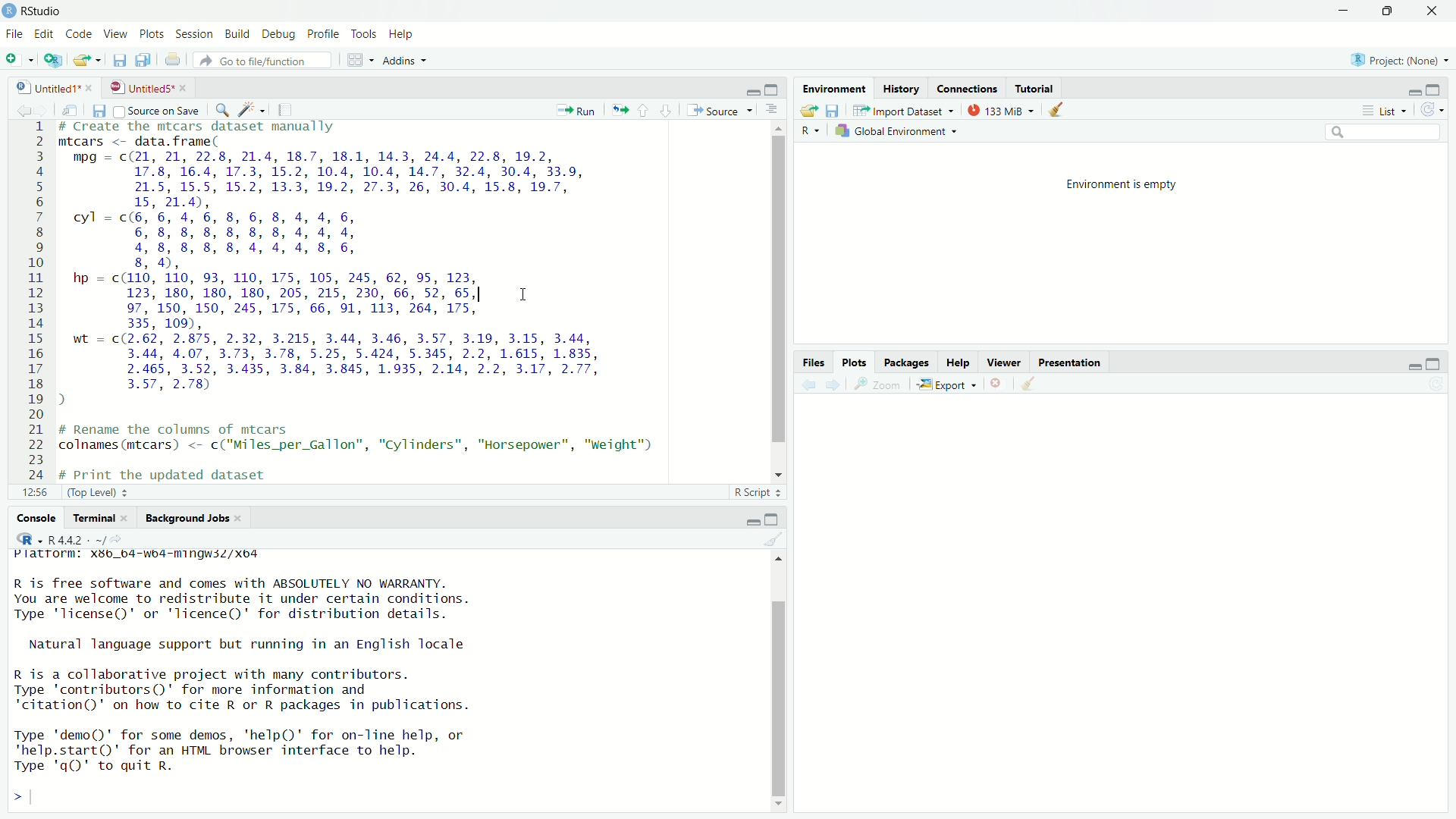  What do you see at coordinates (79, 33) in the screenshot?
I see `Code` at bounding box center [79, 33].